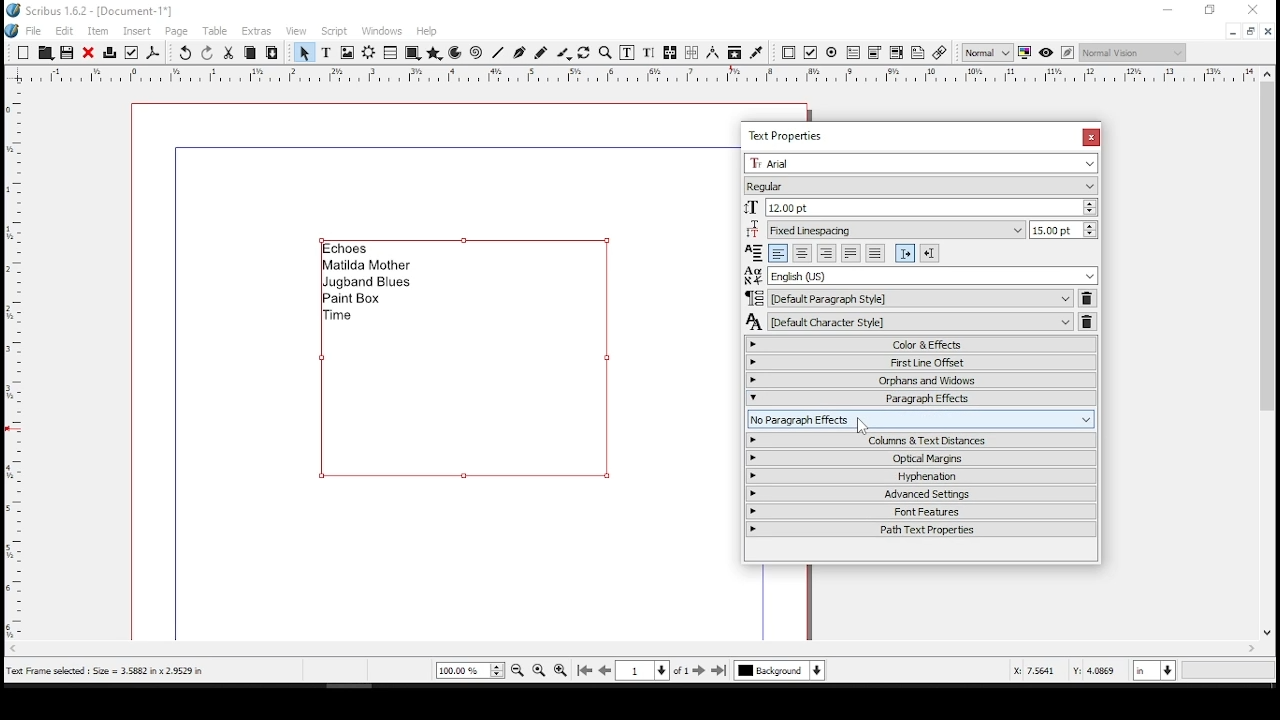 This screenshot has height=720, width=1280. What do you see at coordinates (850, 253) in the screenshot?
I see `align text justified` at bounding box center [850, 253].